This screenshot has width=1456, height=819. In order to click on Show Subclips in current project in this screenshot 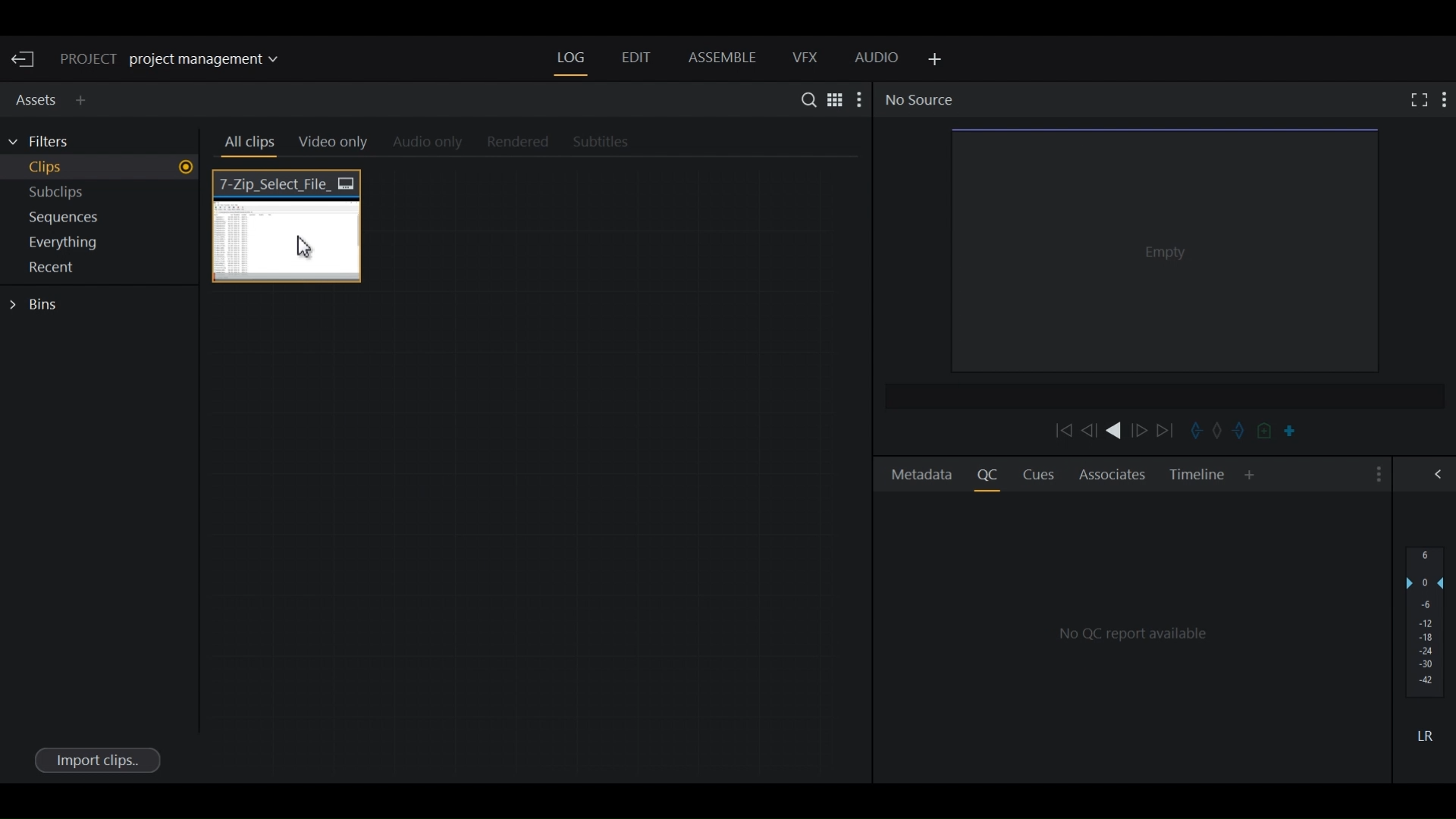, I will do `click(103, 195)`.